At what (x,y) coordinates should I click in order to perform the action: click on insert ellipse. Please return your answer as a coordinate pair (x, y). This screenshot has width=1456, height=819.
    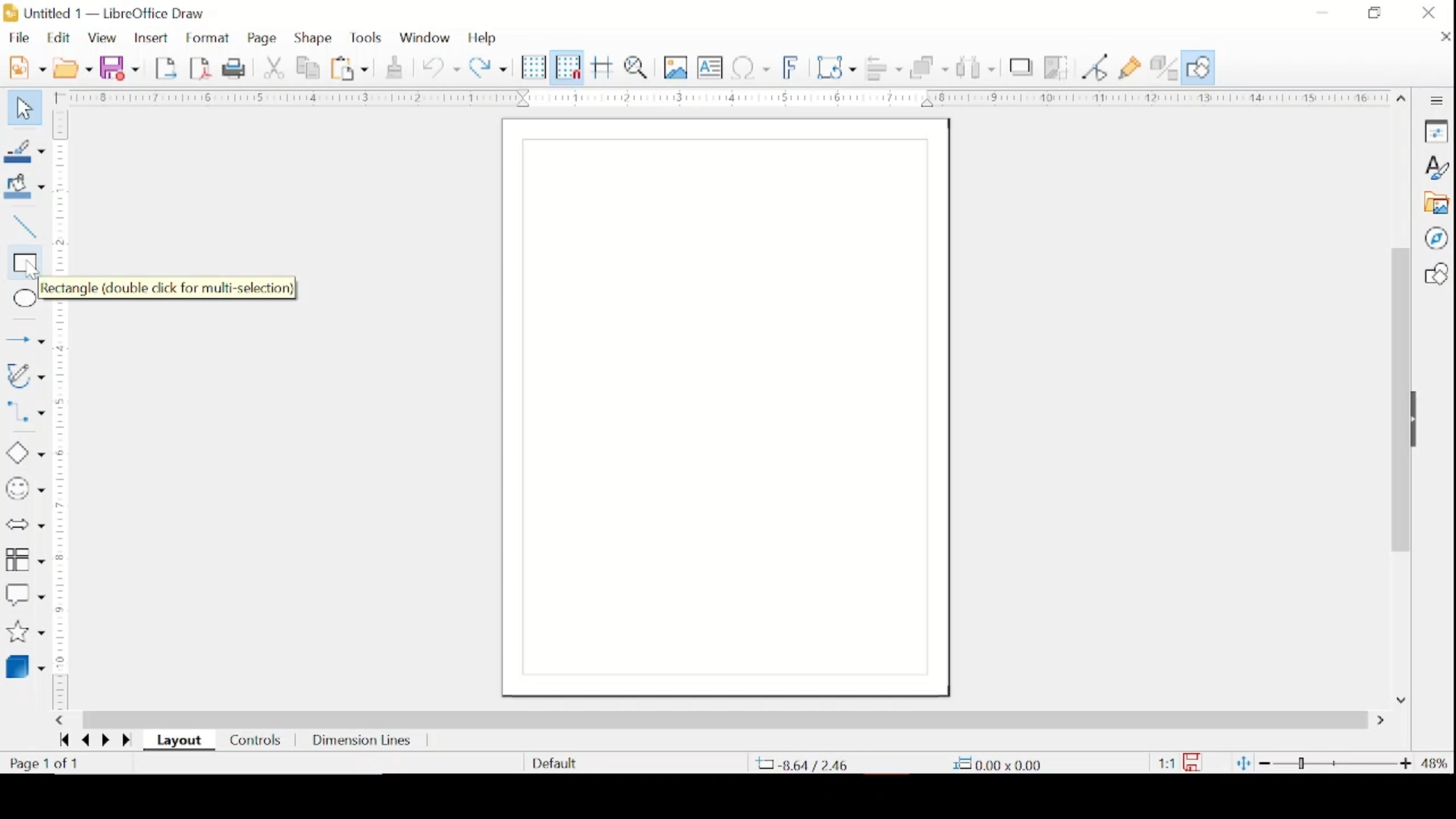
    Looking at the image, I should click on (22, 299).